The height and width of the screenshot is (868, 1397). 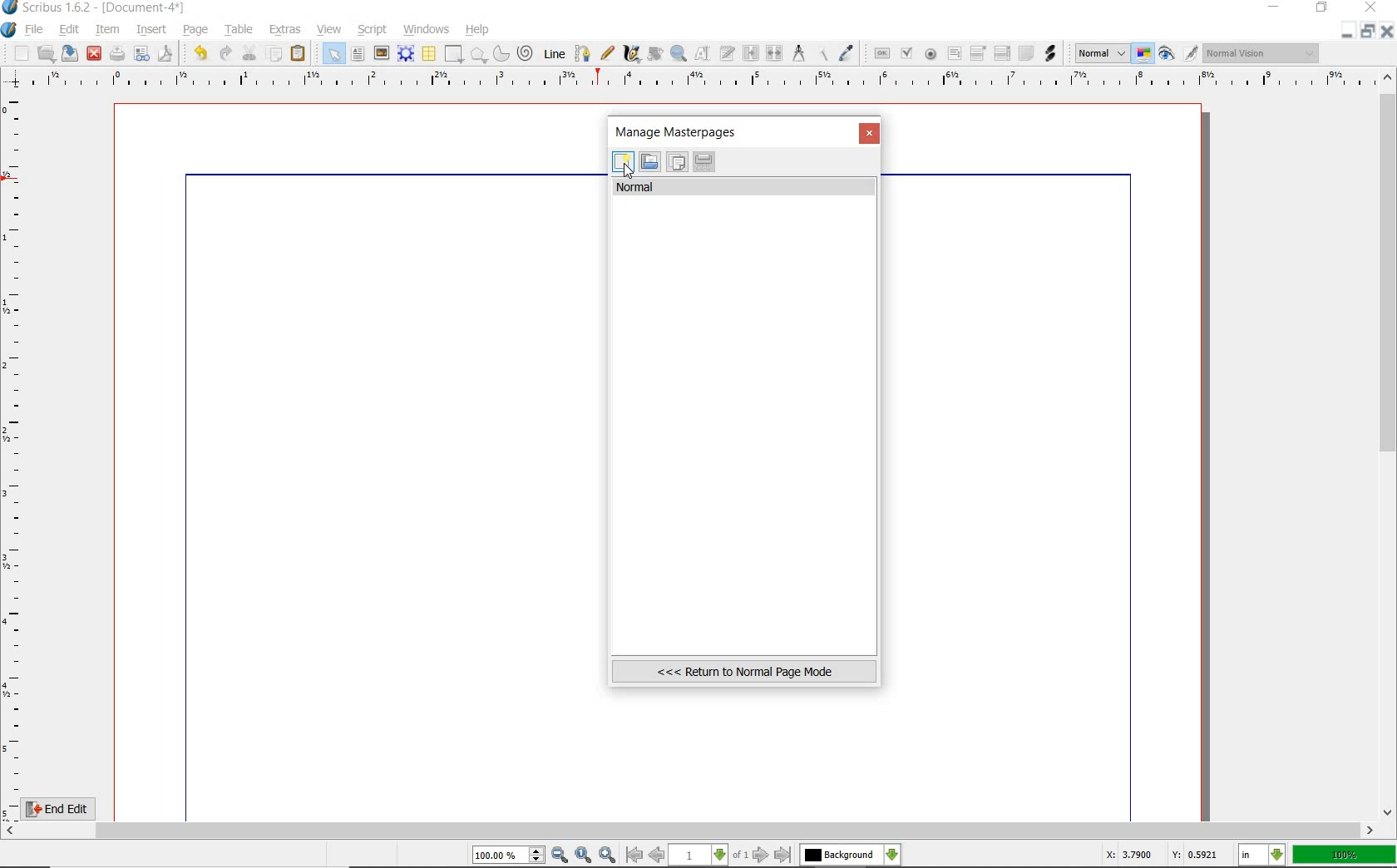 What do you see at coordinates (95, 8) in the screenshot?
I see `Scribus 1.6.2 - [Document-4*]` at bounding box center [95, 8].